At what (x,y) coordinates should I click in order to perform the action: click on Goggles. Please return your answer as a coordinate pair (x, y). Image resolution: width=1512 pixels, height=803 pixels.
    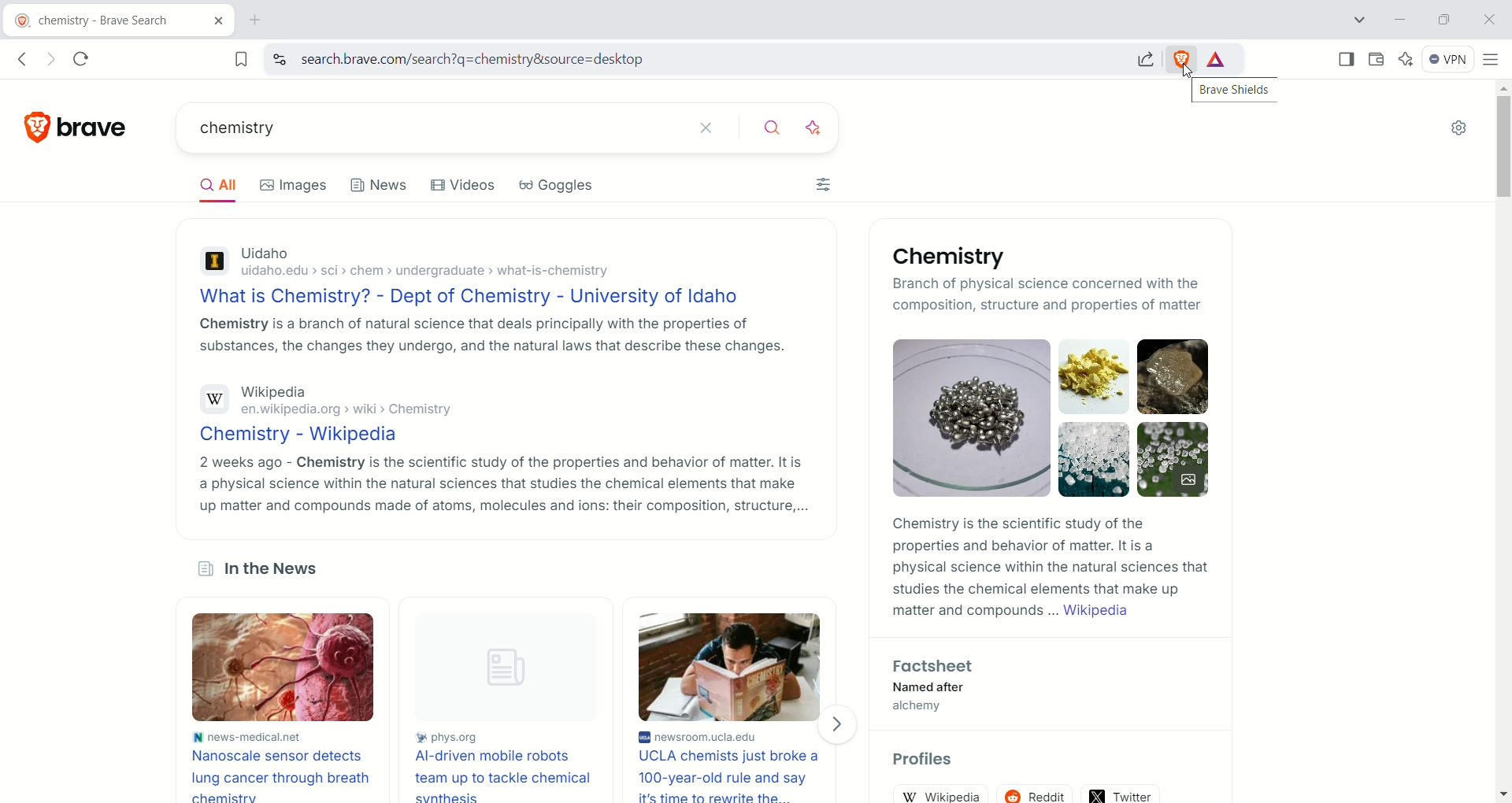
    Looking at the image, I should click on (558, 185).